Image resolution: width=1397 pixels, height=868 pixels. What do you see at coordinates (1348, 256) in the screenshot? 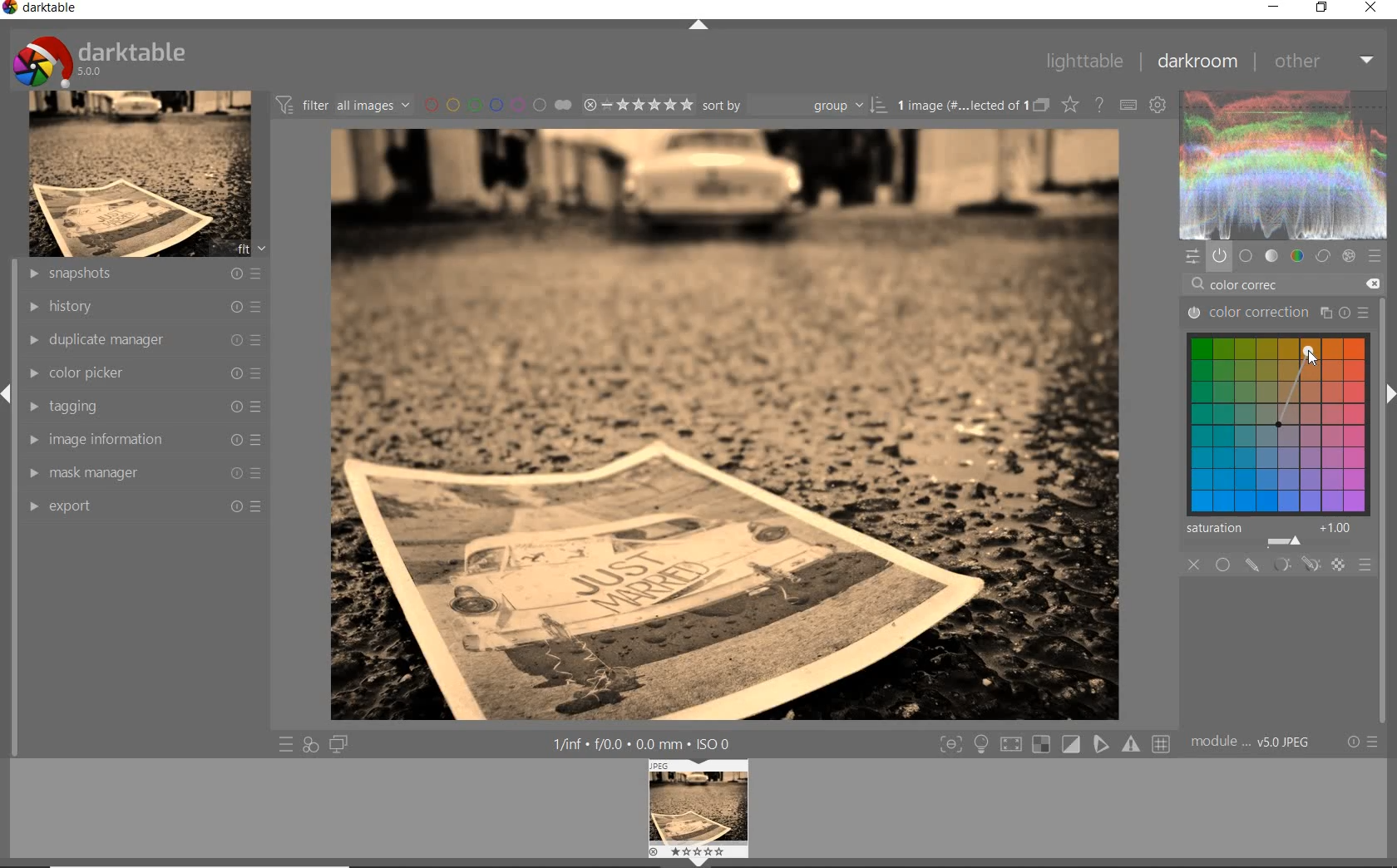
I see `effect` at bounding box center [1348, 256].